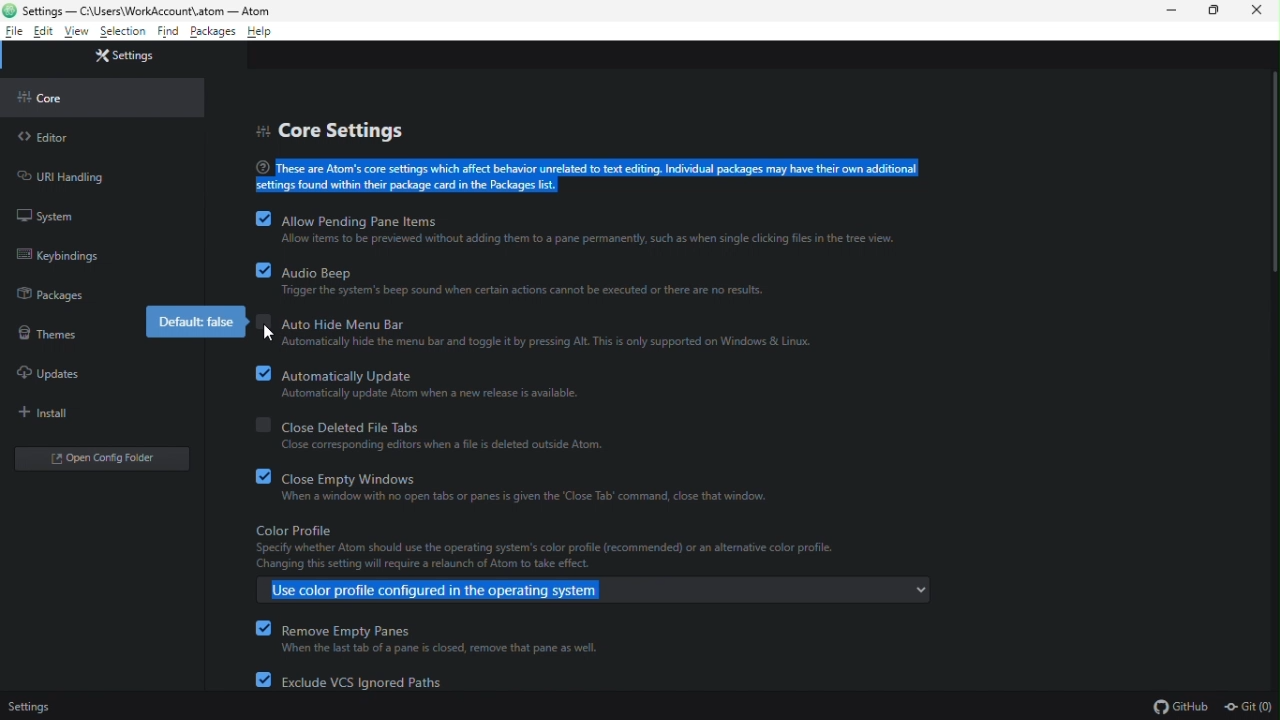 The width and height of the screenshot is (1280, 720). What do you see at coordinates (513, 437) in the screenshot?
I see `Close Deleted File Tabs
Close corresponding editors when a file is deleted outside Atom.` at bounding box center [513, 437].